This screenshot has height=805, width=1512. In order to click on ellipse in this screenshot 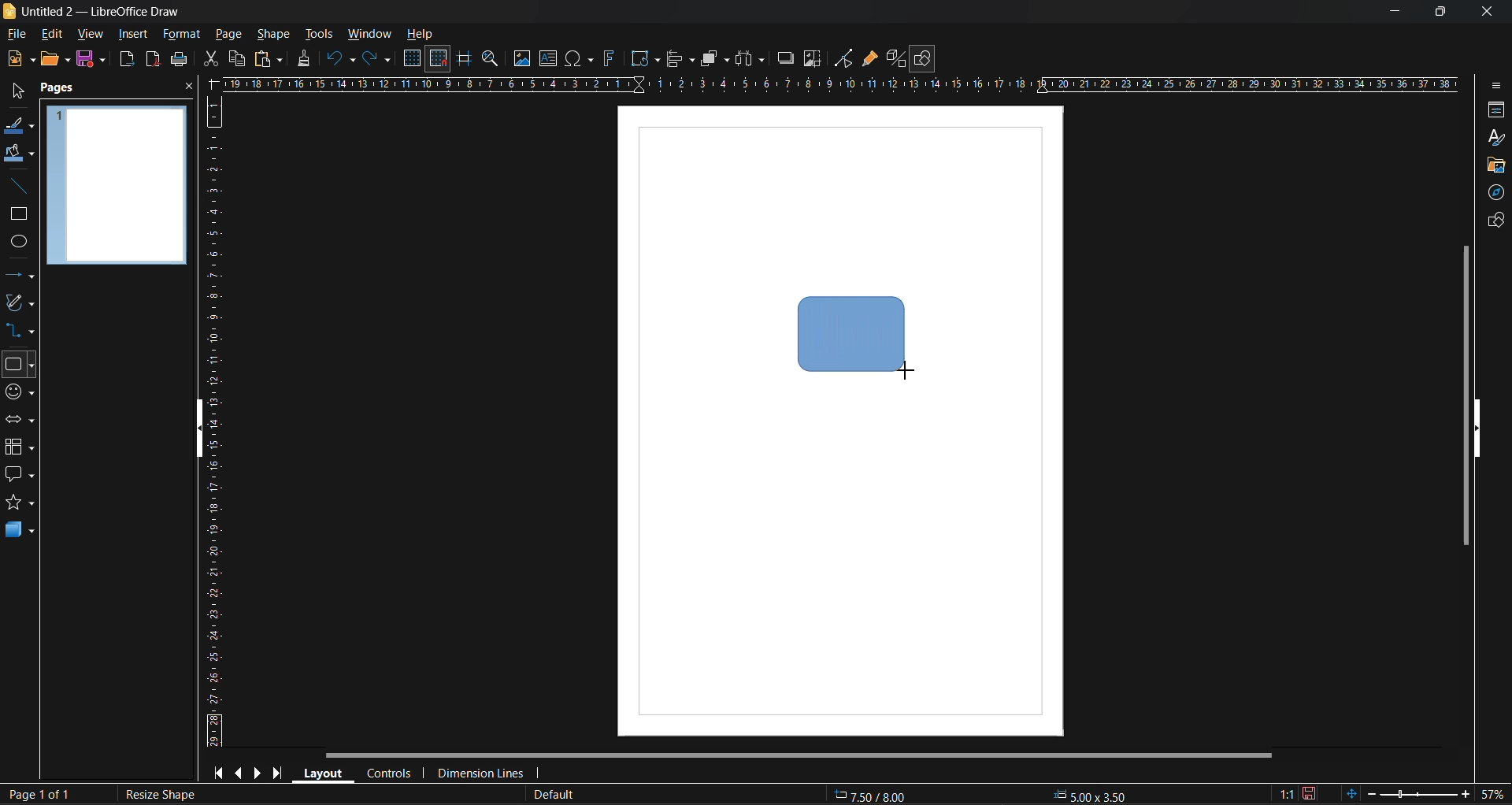, I will do `click(20, 243)`.